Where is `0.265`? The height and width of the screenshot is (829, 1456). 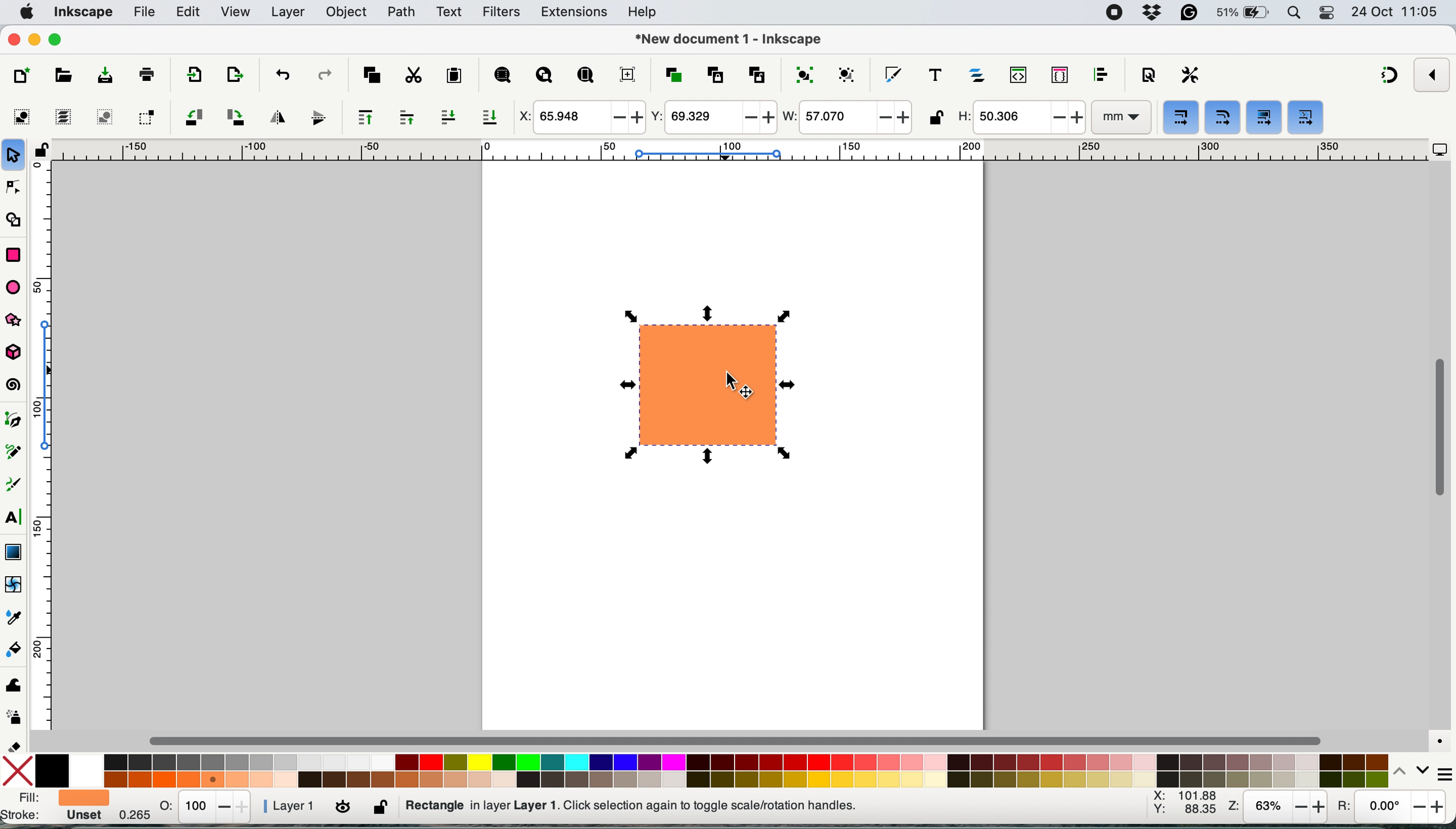 0.265 is located at coordinates (127, 817).